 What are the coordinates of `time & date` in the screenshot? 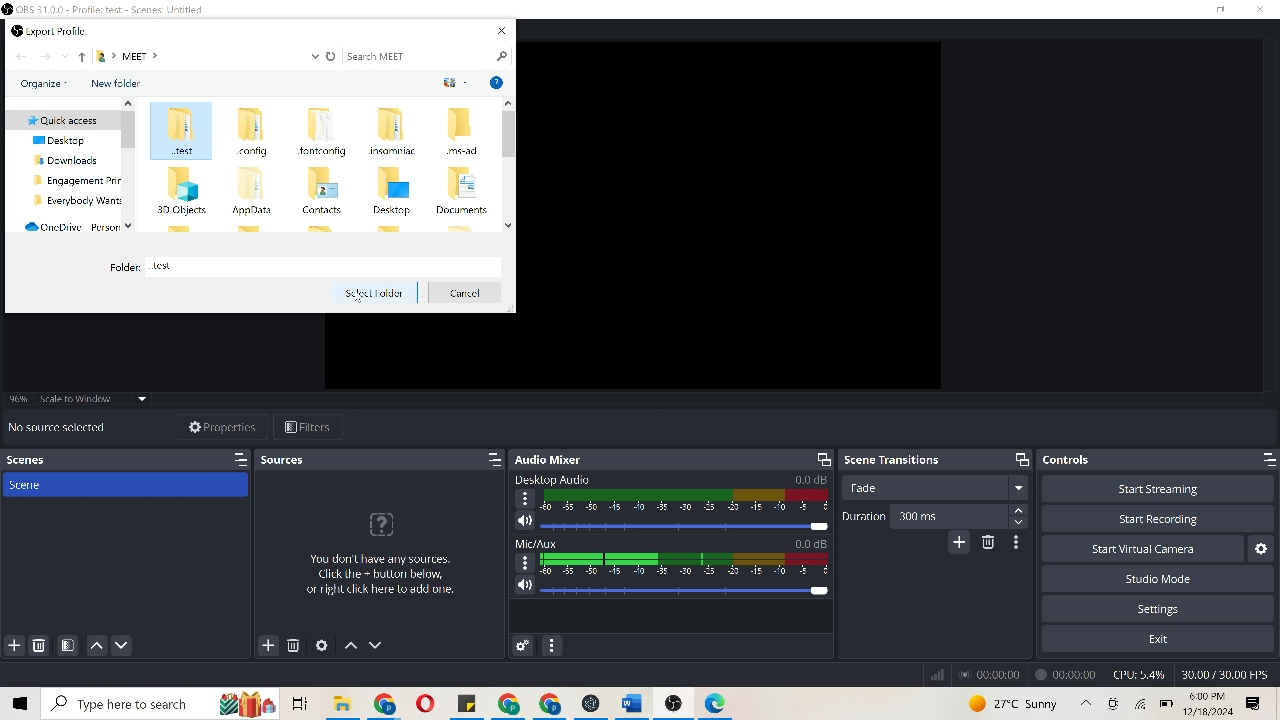 It's located at (1211, 704).